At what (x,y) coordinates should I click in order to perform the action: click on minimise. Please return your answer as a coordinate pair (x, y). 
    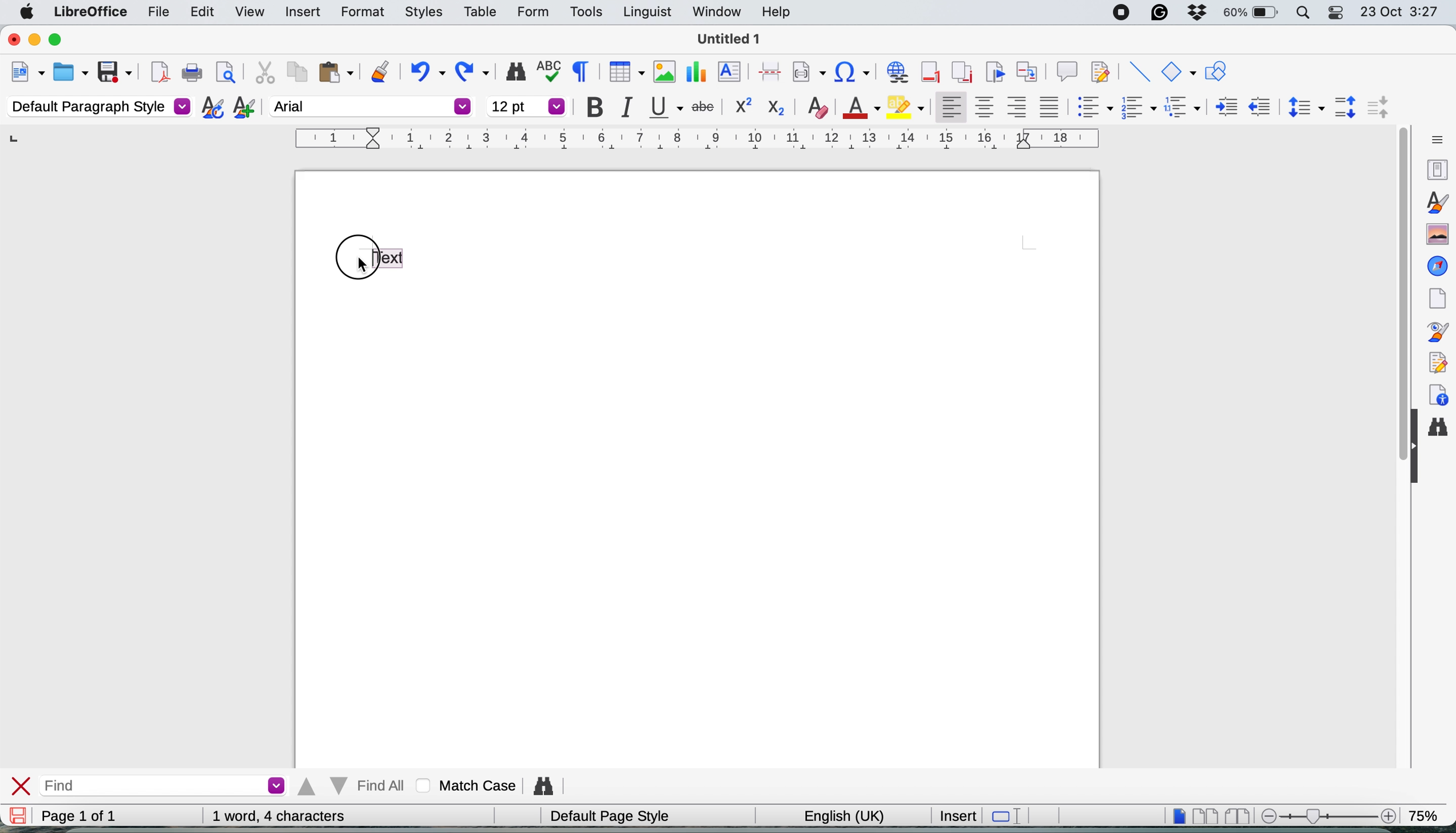
    Looking at the image, I should click on (33, 39).